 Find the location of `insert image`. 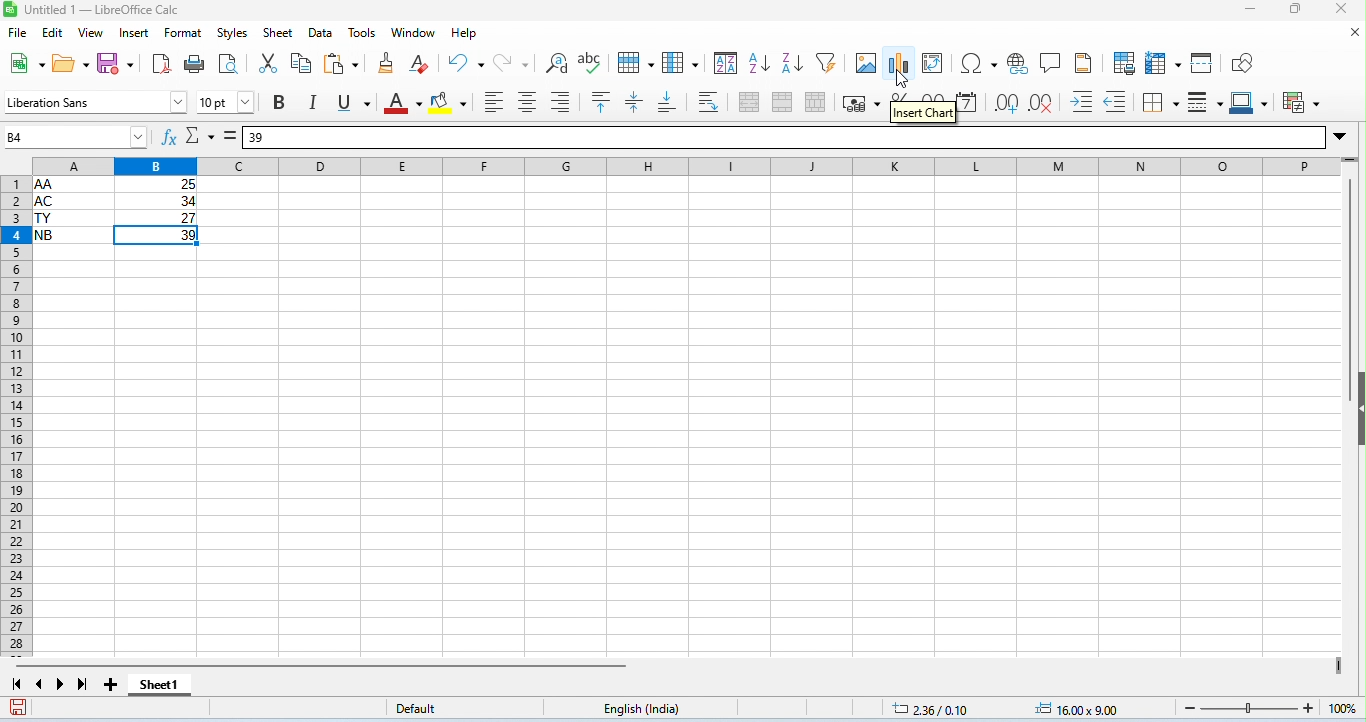

insert image is located at coordinates (866, 63).